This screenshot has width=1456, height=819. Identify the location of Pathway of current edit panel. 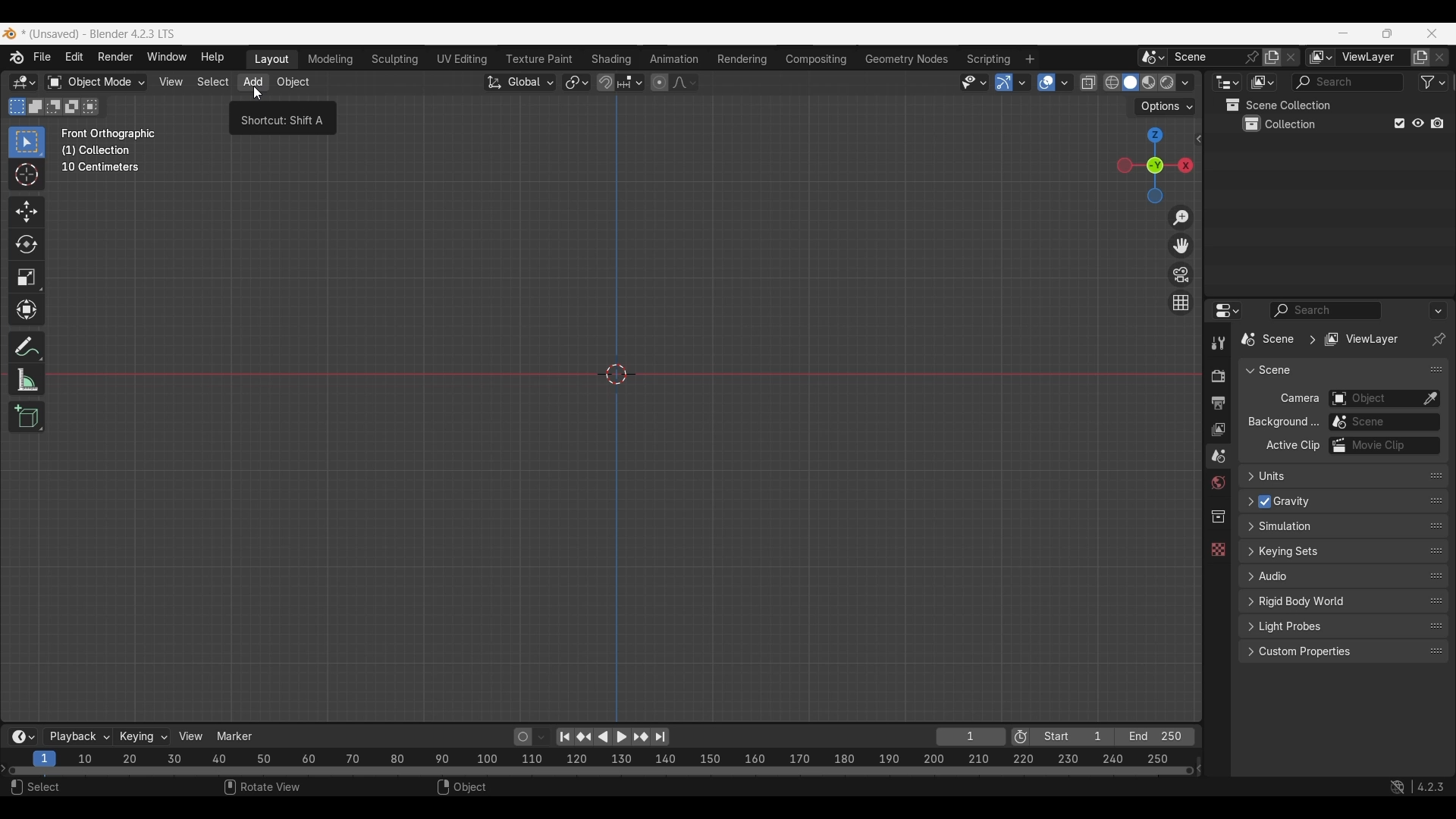
(1319, 339).